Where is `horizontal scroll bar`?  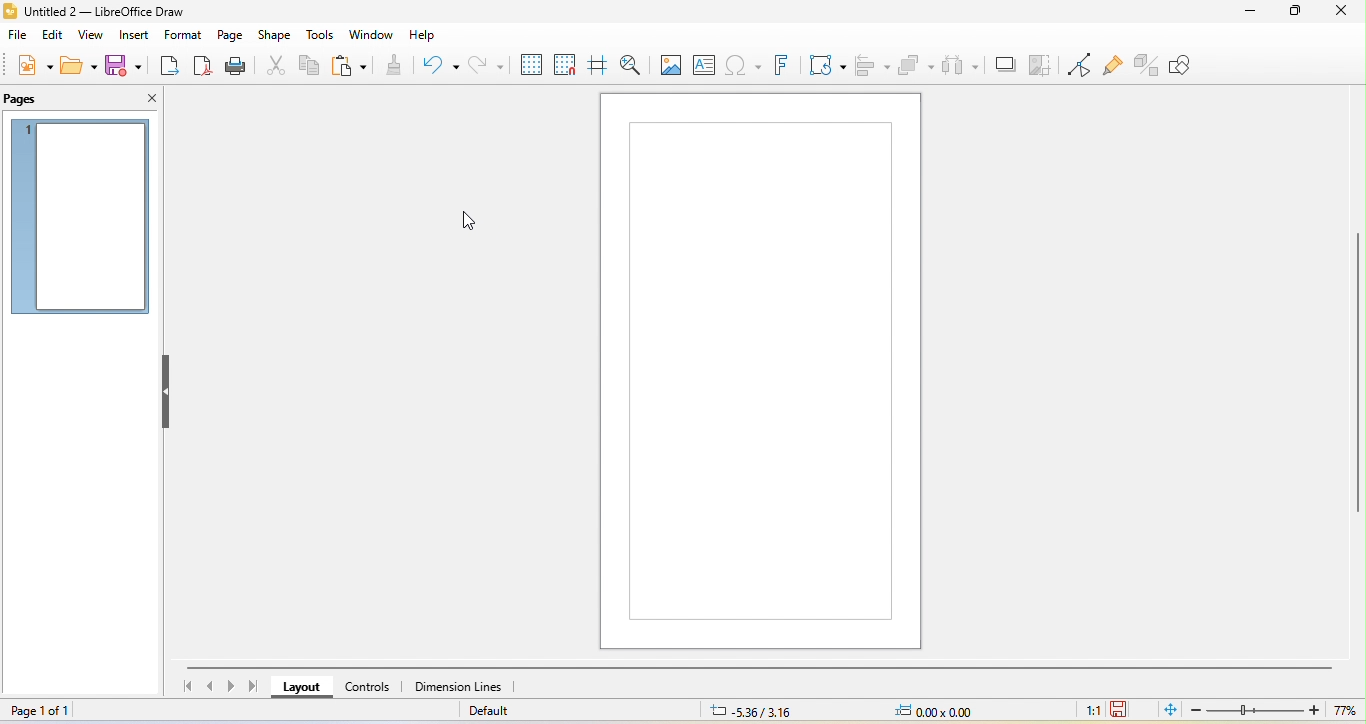
horizontal scroll bar is located at coordinates (763, 665).